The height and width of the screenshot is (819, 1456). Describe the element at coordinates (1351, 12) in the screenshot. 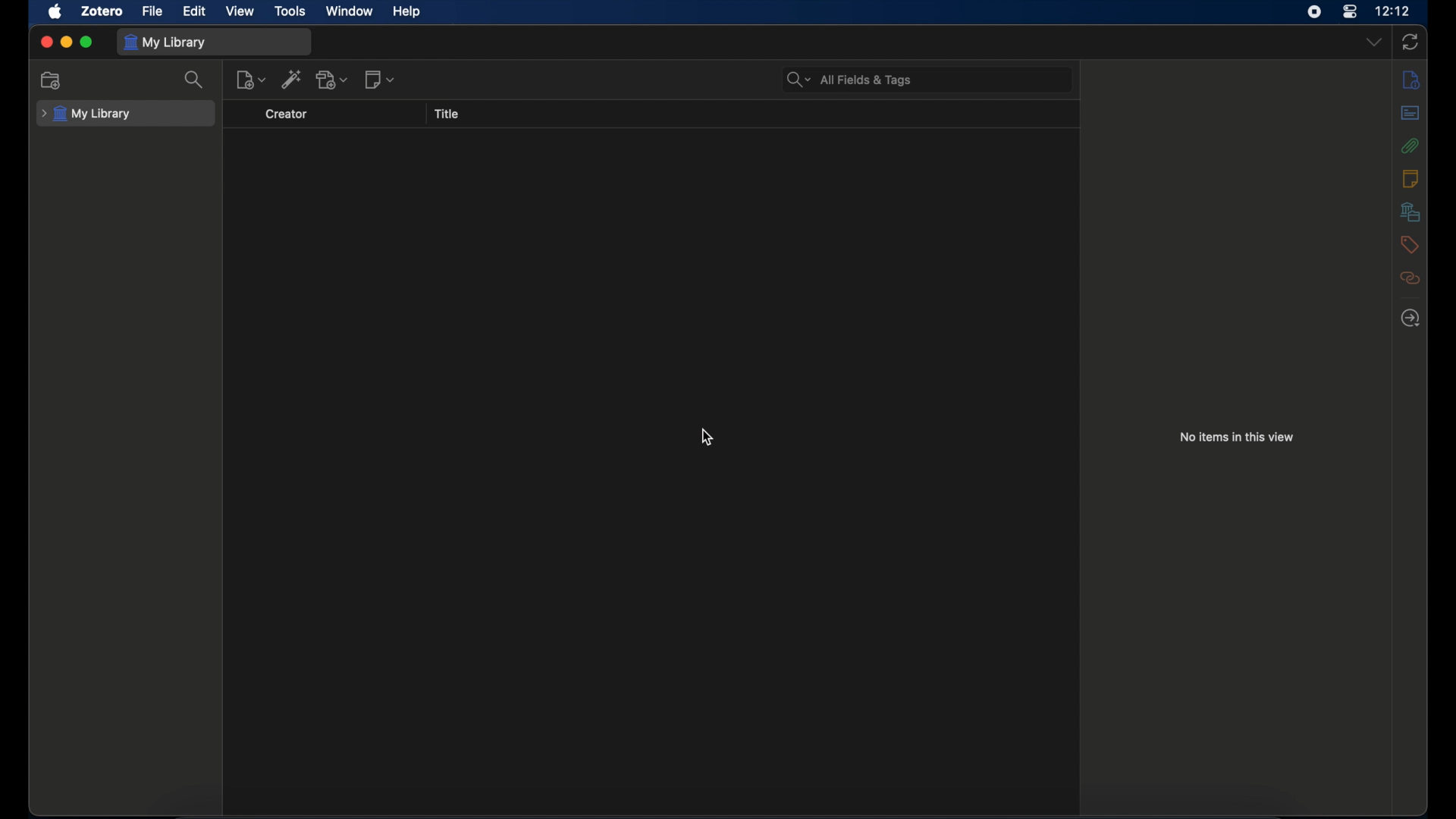

I see `control center` at that location.